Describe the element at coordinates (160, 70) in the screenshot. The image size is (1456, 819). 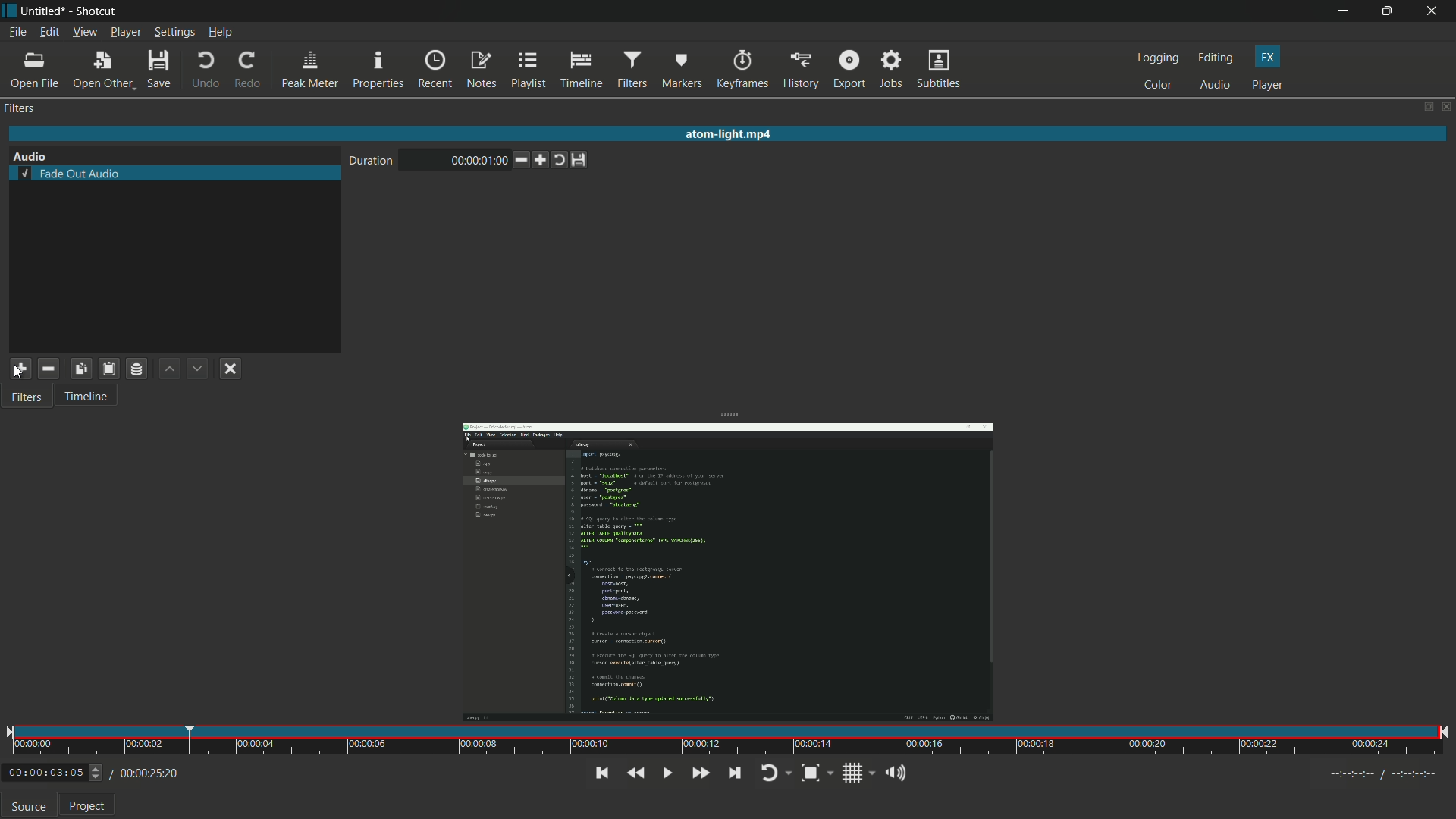
I see `save` at that location.